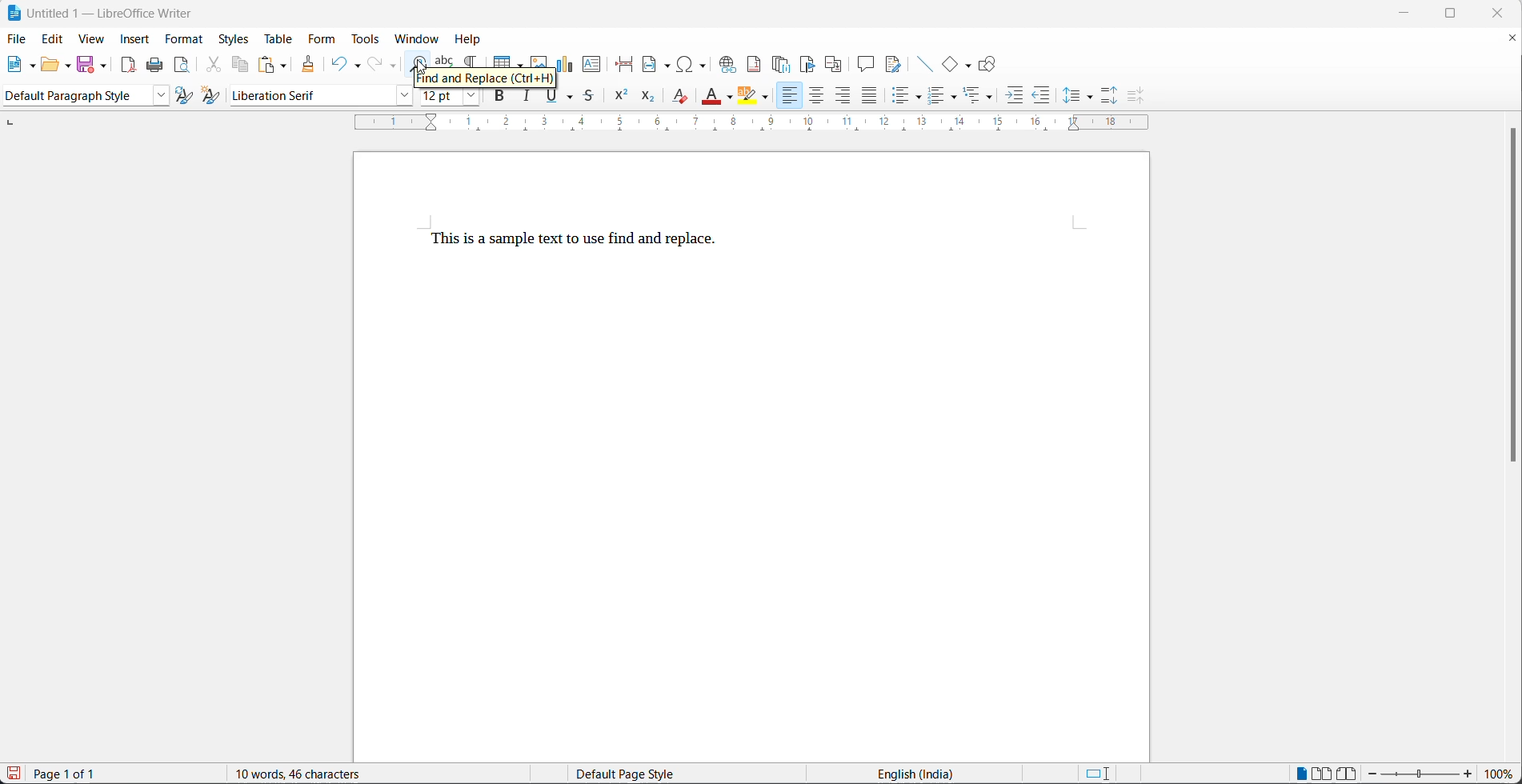  What do you see at coordinates (870, 97) in the screenshot?
I see `justified` at bounding box center [870, 97].